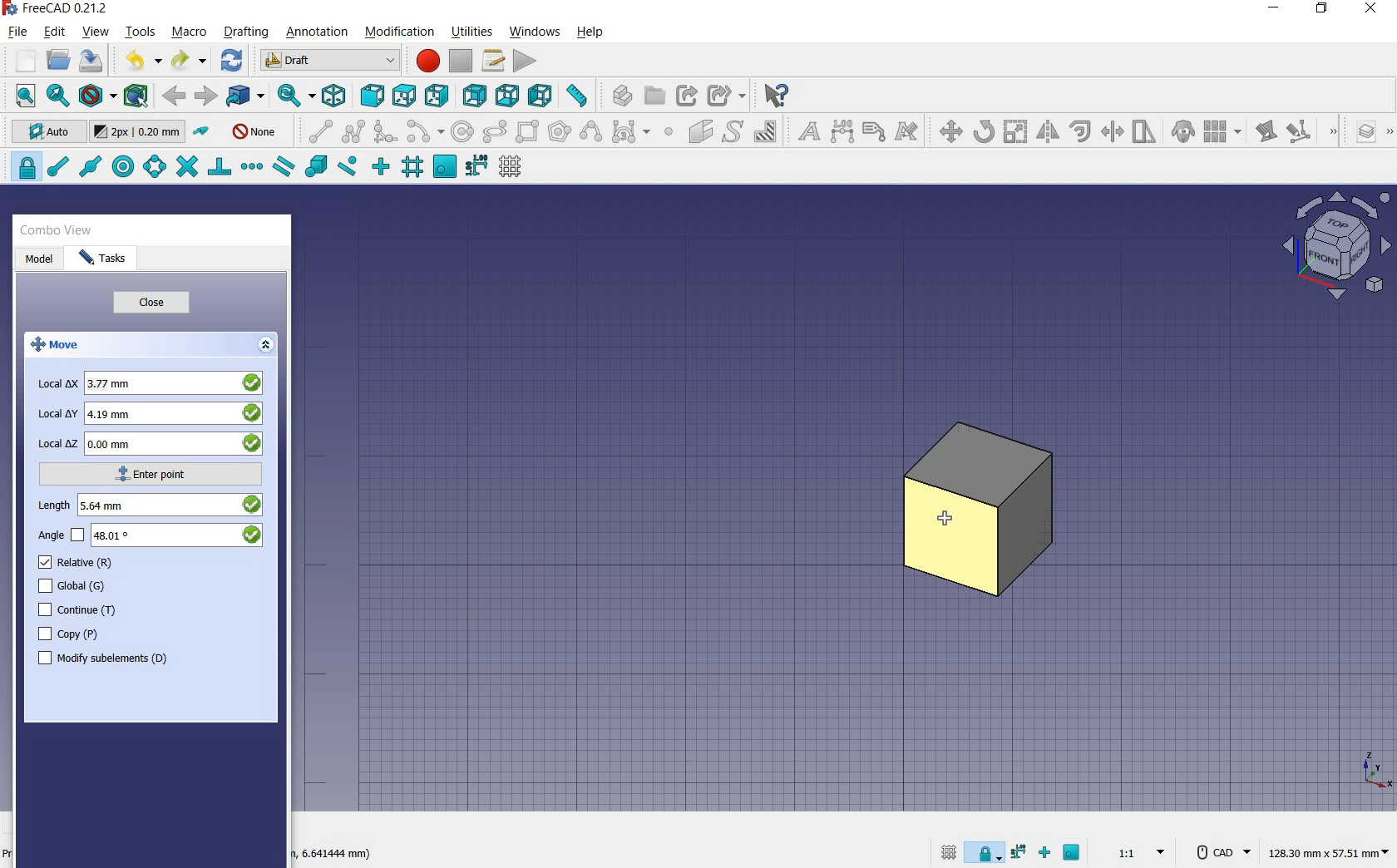 The image size is (1397, 868). Describe the element at coordinates (1299, 133) in the screenshot. I see `subelement highlight` at that location.